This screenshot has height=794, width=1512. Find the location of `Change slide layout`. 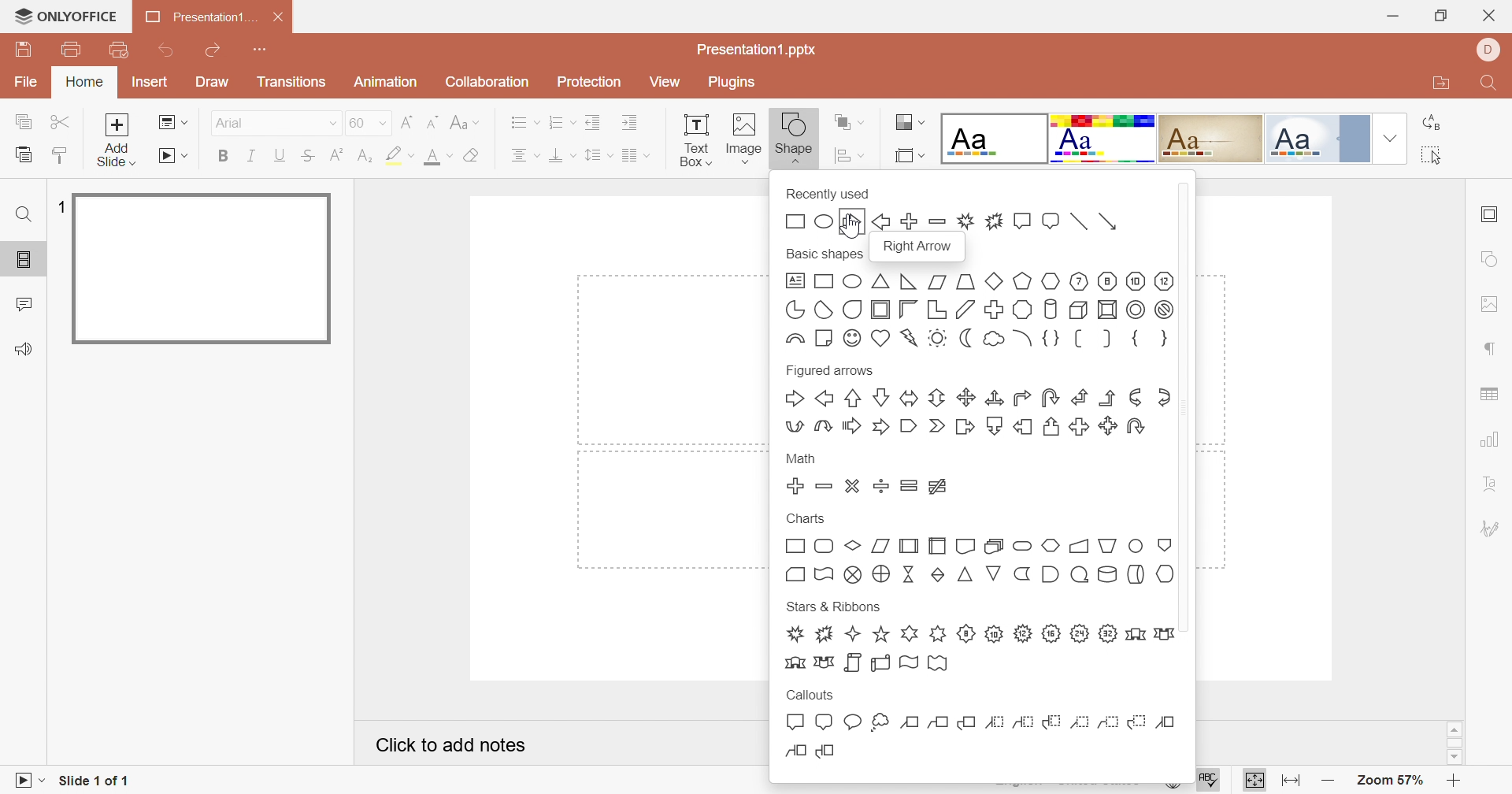

Change slide layout is located at coordinates (174, 123).